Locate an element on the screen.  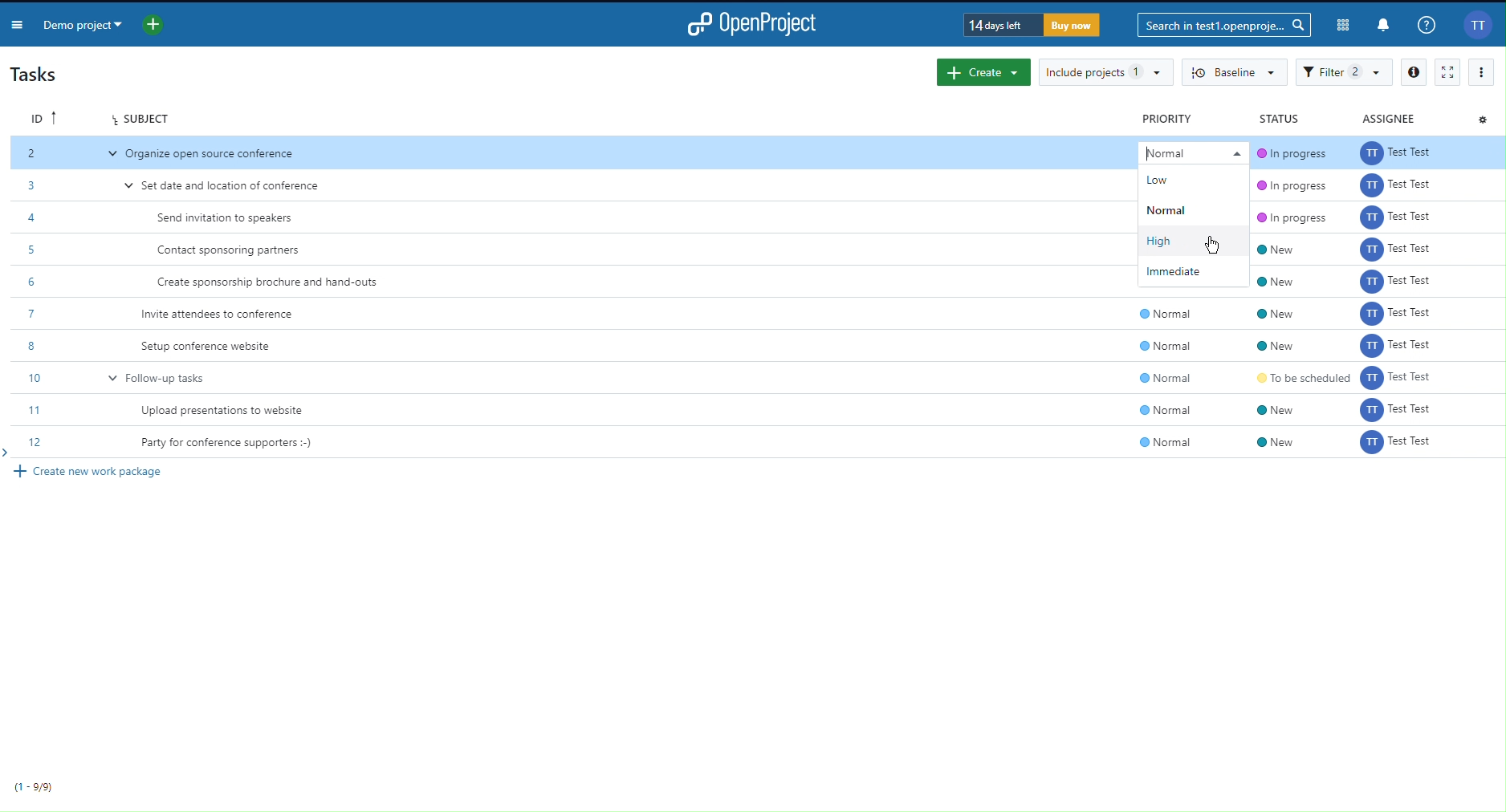
12 Party for conference supporters :-) @ Normal @ New [7] Test Test is located at coordinates (760, 441).